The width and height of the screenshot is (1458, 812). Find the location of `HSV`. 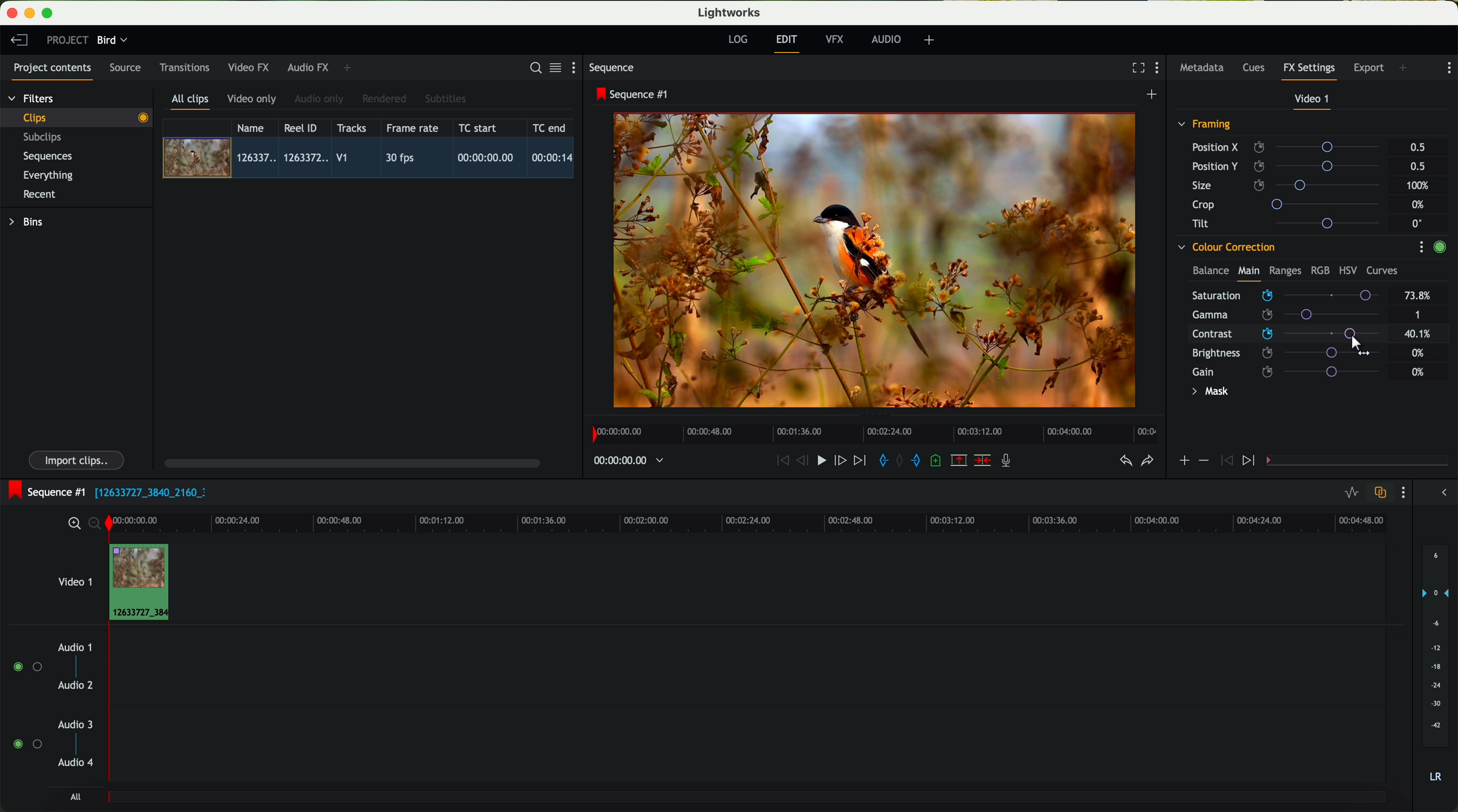

HSV is located at coordinates (1347, 270).